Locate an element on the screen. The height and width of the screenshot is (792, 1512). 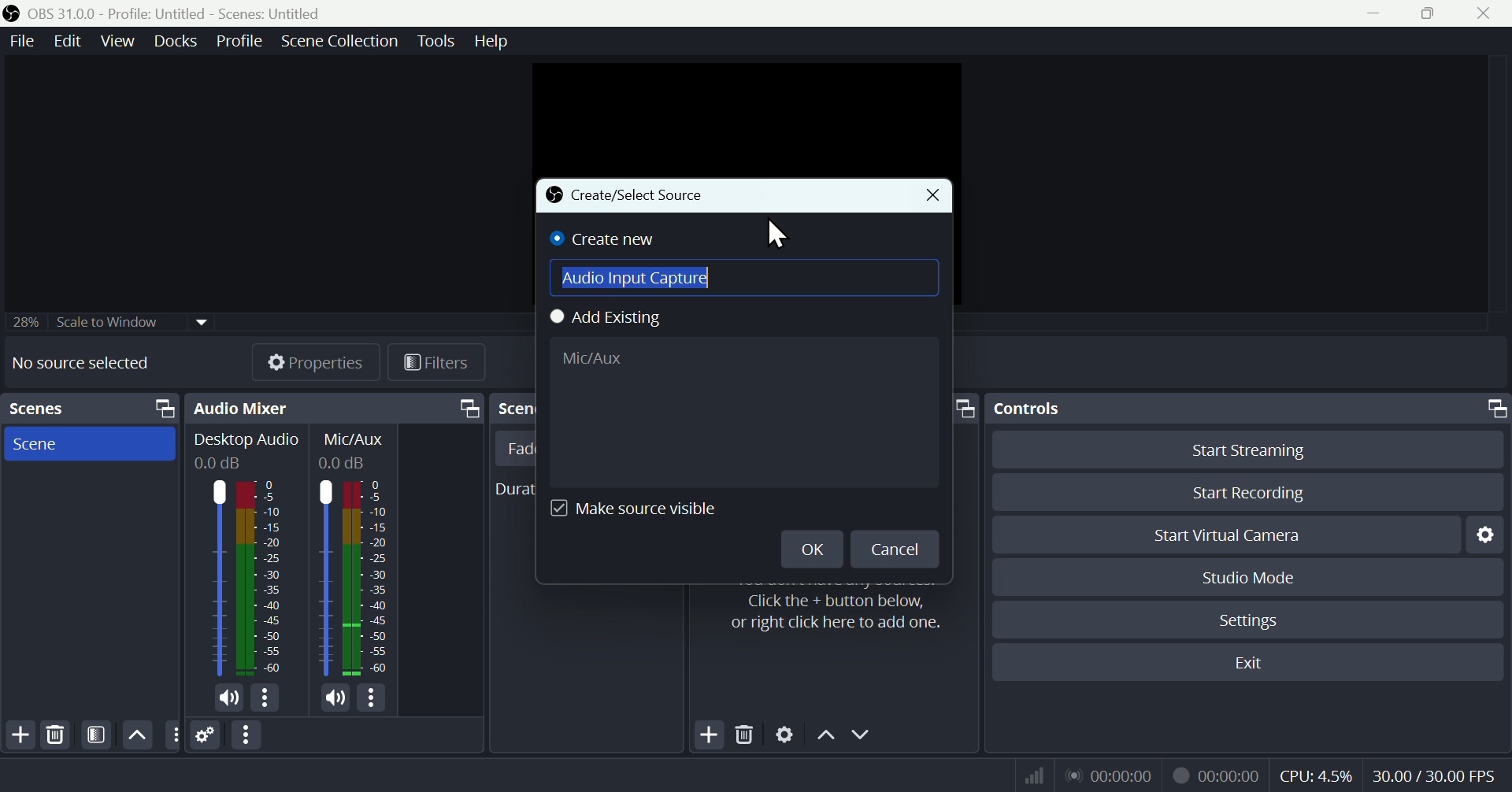
Desktop Audio is located at coordinates (246, 441).